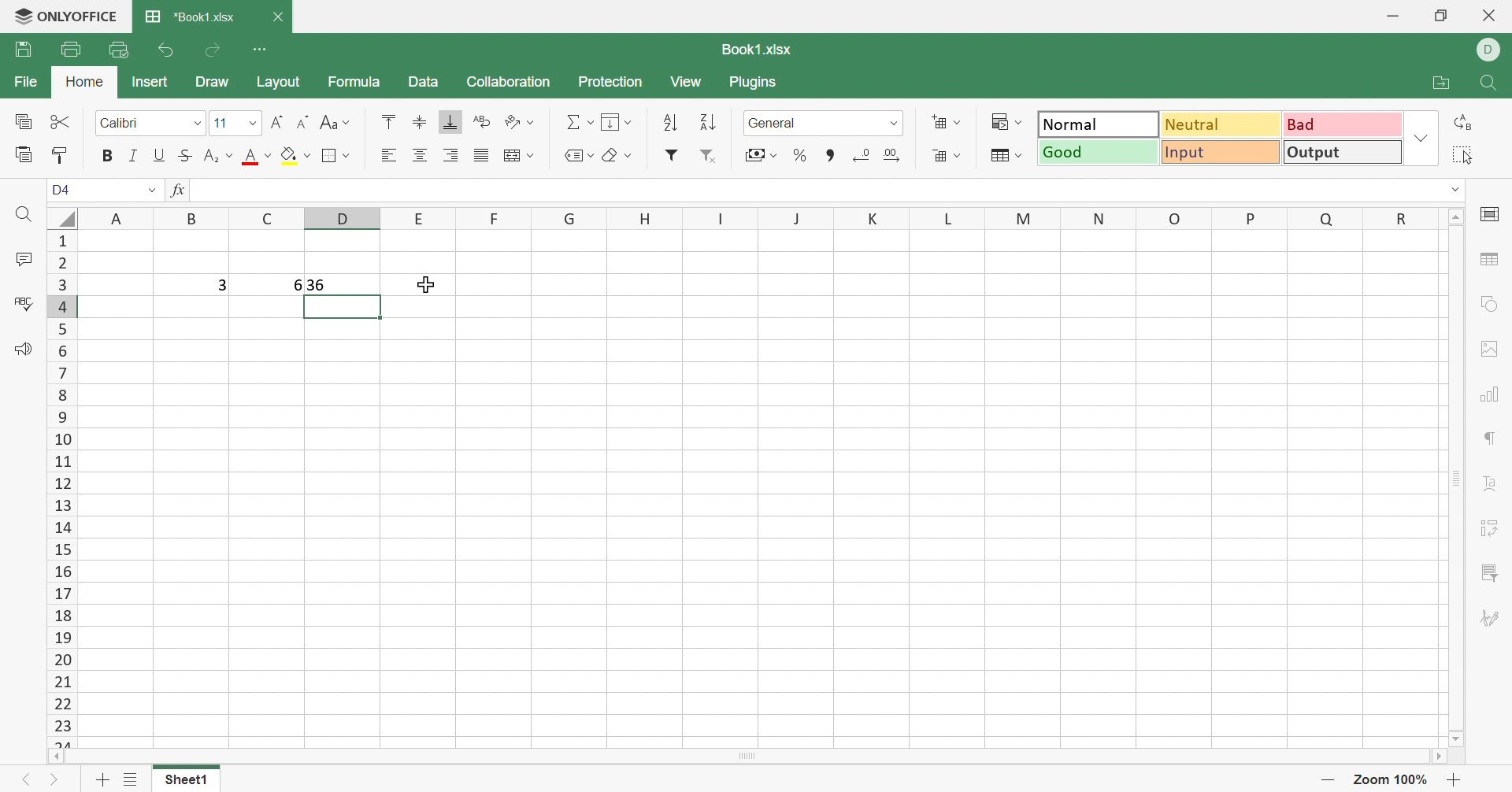 The width and height of the screenshot is (1512, 792). Describe the element at coordinates (1491, 305) in the screenshot. I see `Shape settings` at that location.